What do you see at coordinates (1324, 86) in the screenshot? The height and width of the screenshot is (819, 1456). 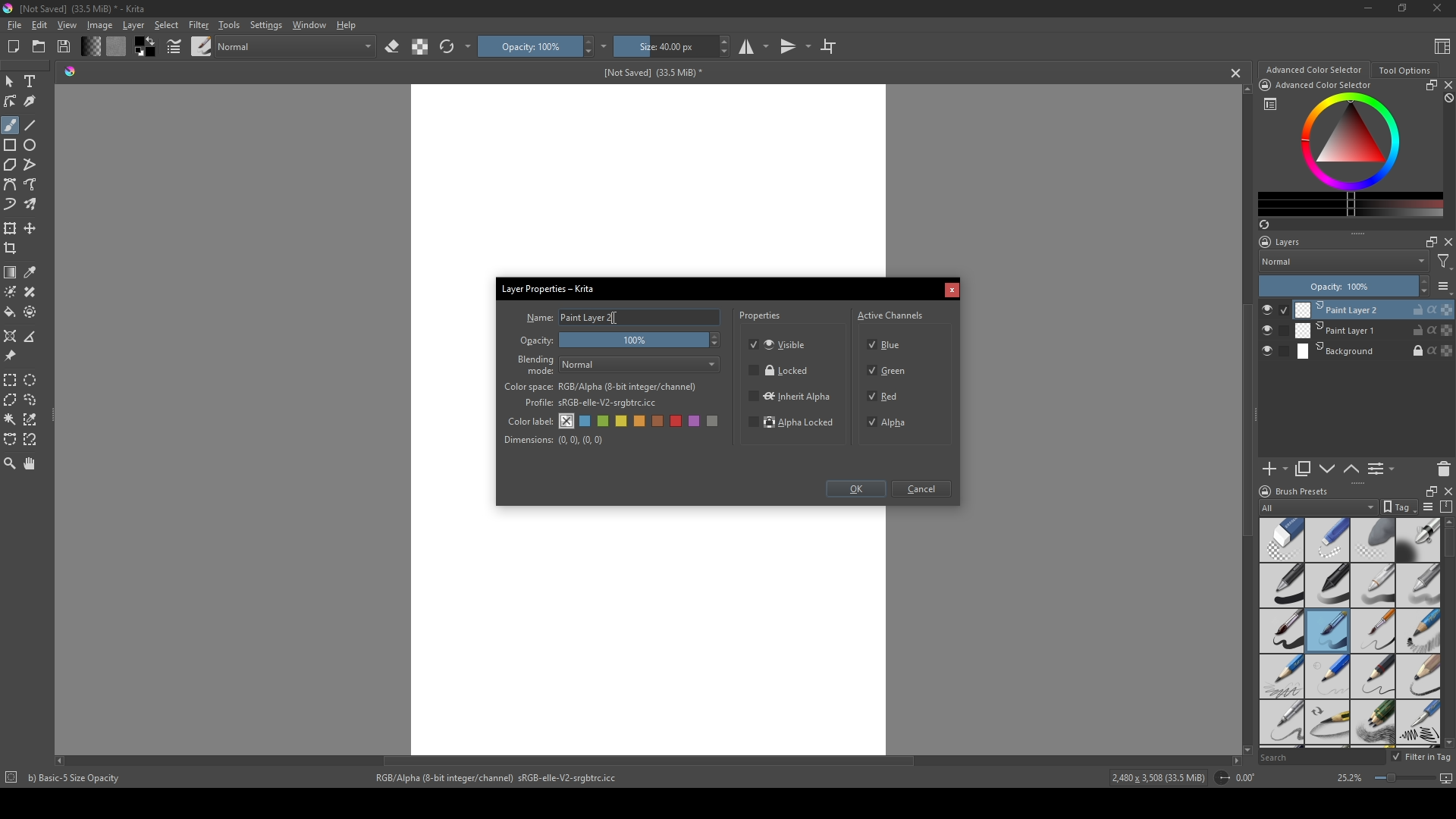 I see `Advanced Color Selector` at bounding box center [1324, 86].